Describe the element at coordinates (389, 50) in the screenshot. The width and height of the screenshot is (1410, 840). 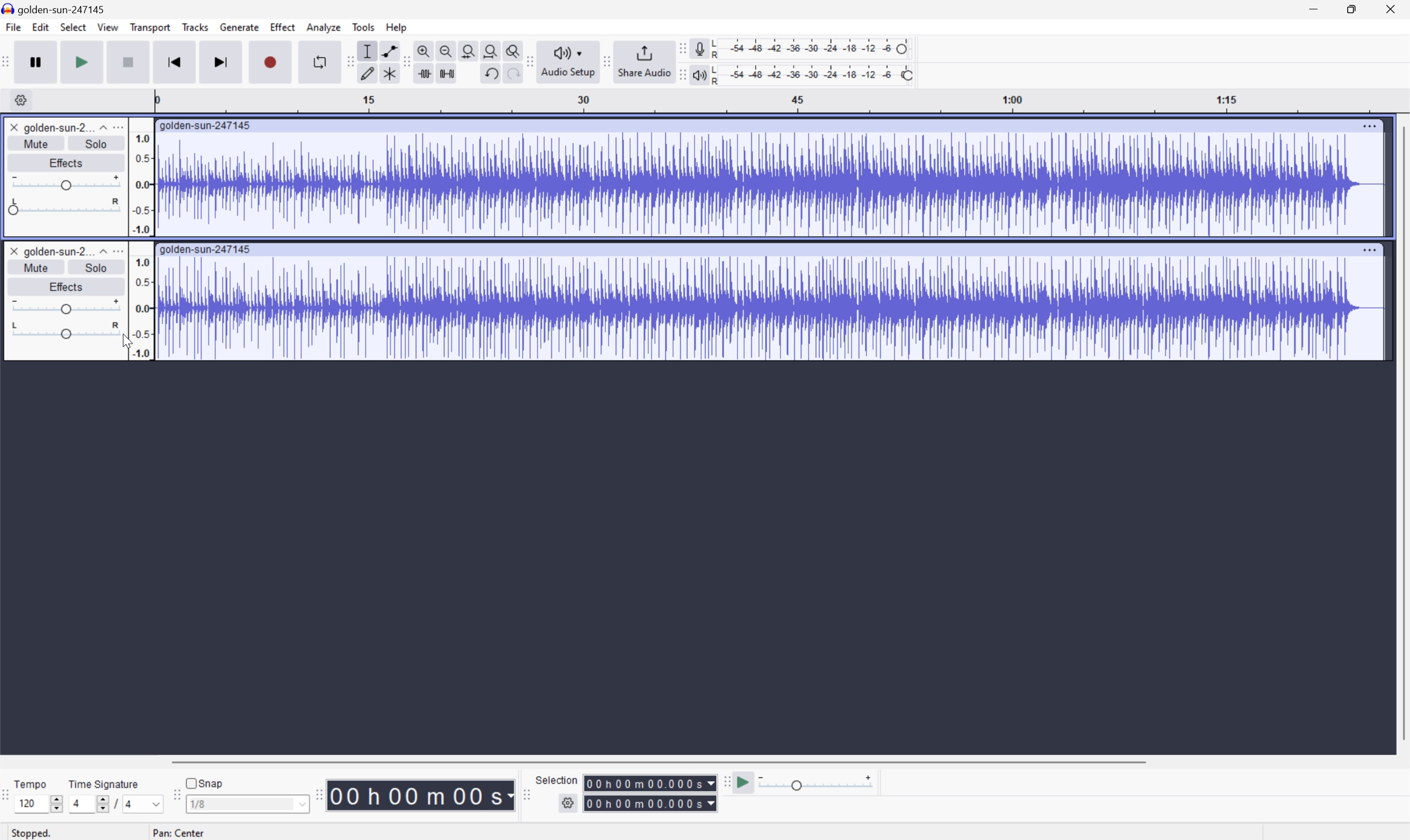
I see `Envelope tool` at that location.